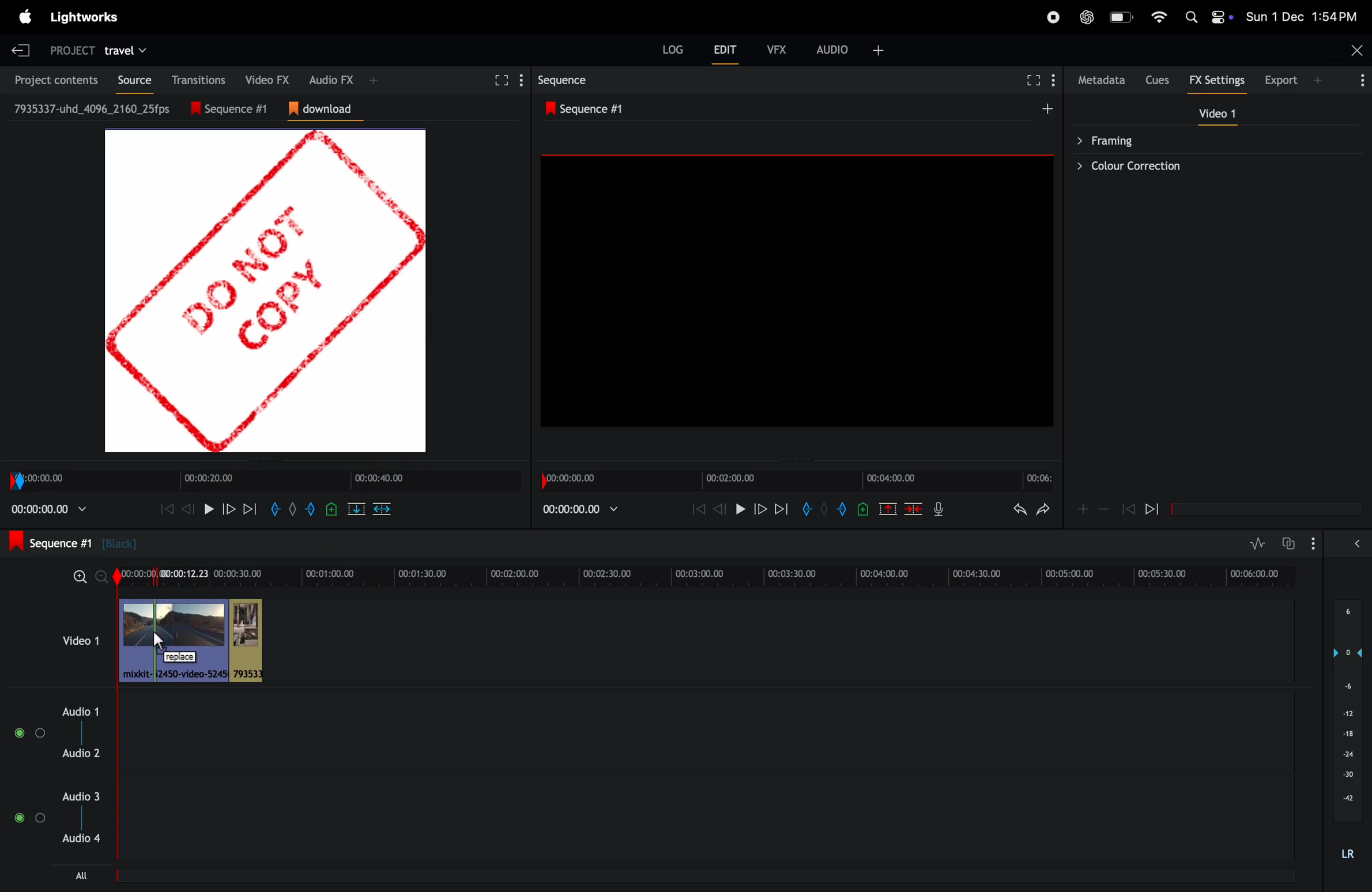 Image resolution: width=1372 pixels, height=892 pixels. Describe the element at coordinates (565, 80) in the screenshot. I see `sequence` at that location.